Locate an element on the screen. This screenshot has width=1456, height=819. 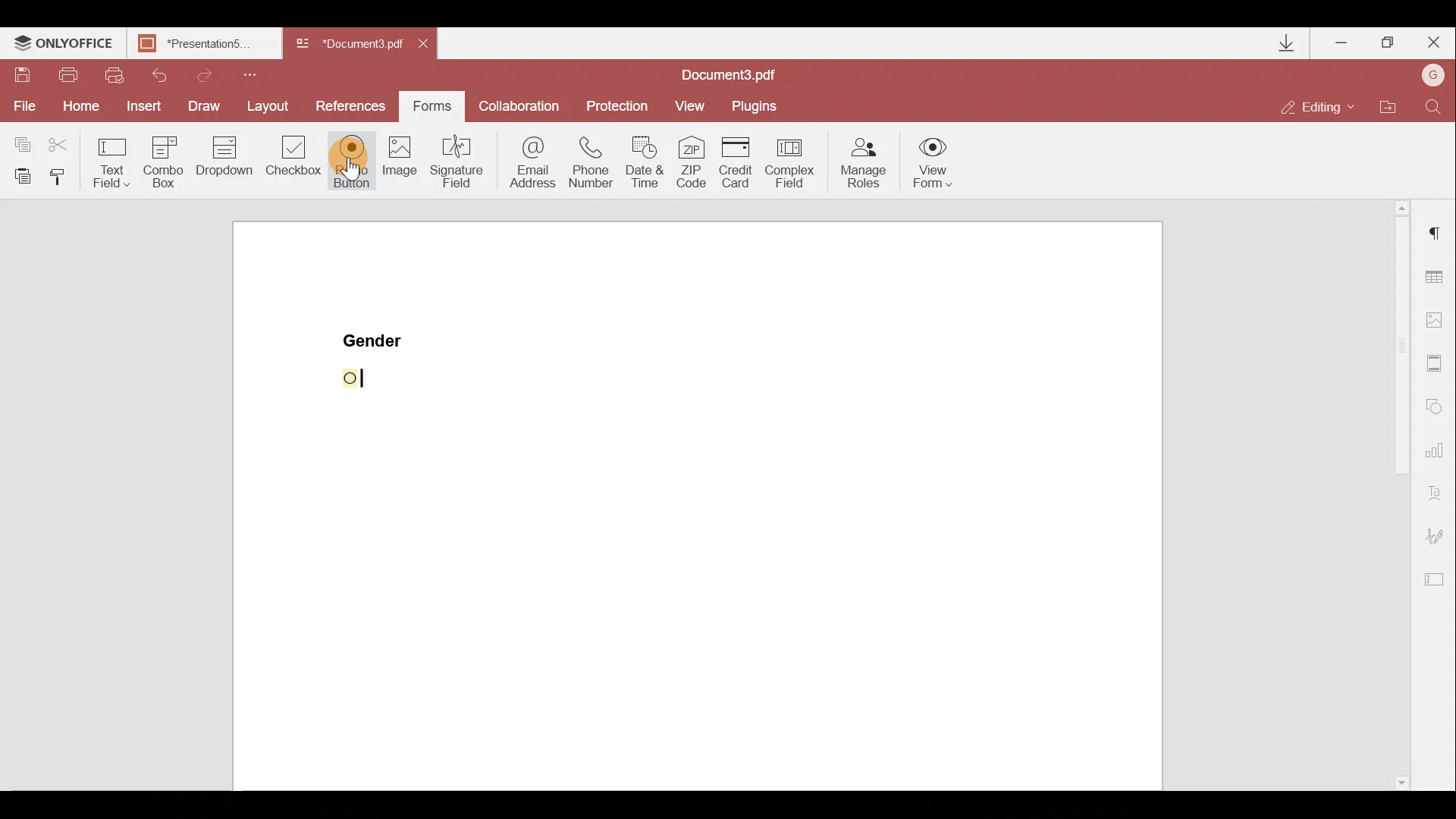
Chart settings is located at coordinates (1437, 456).